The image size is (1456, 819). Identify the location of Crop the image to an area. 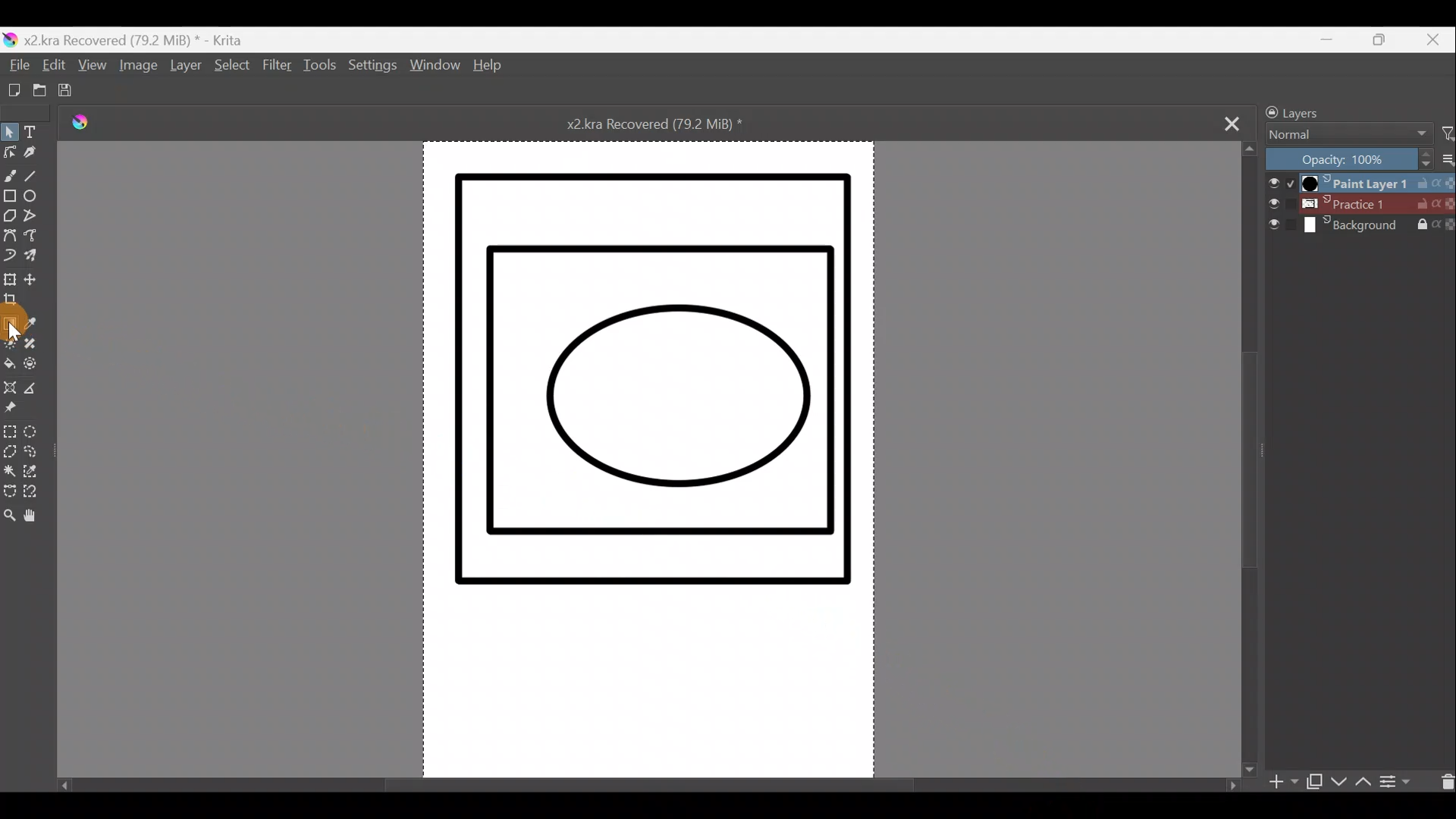
(14, 302).